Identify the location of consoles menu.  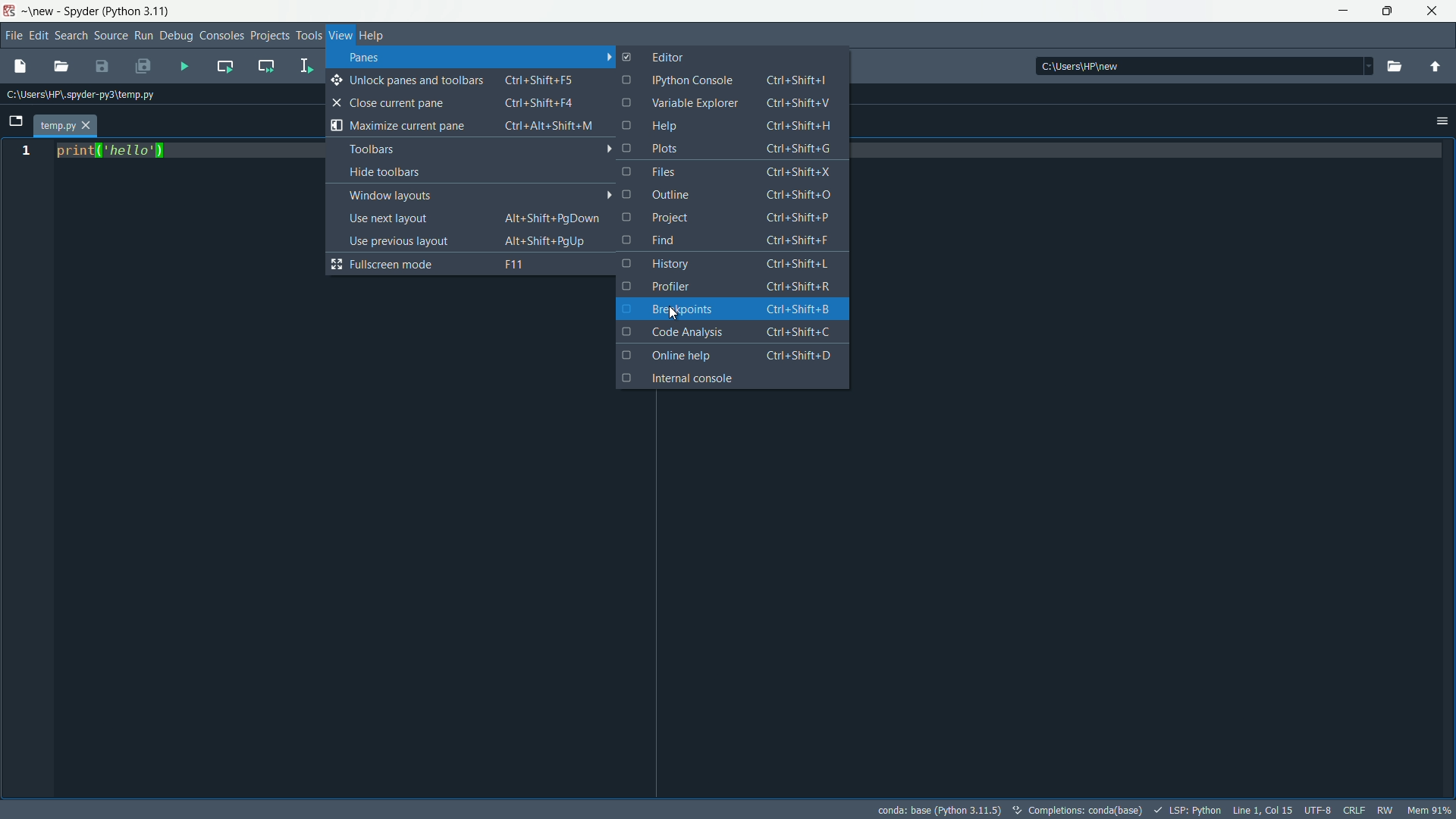
(221, 36).